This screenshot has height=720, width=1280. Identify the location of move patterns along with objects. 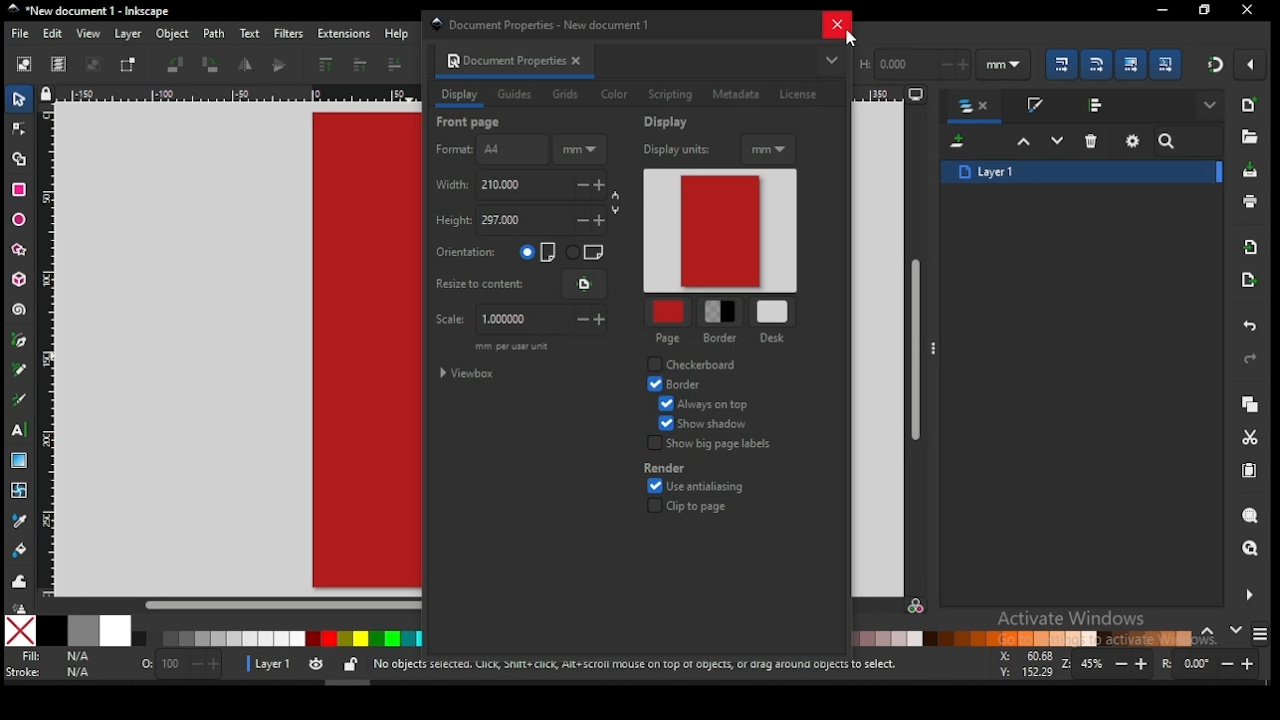
(1165, 63).